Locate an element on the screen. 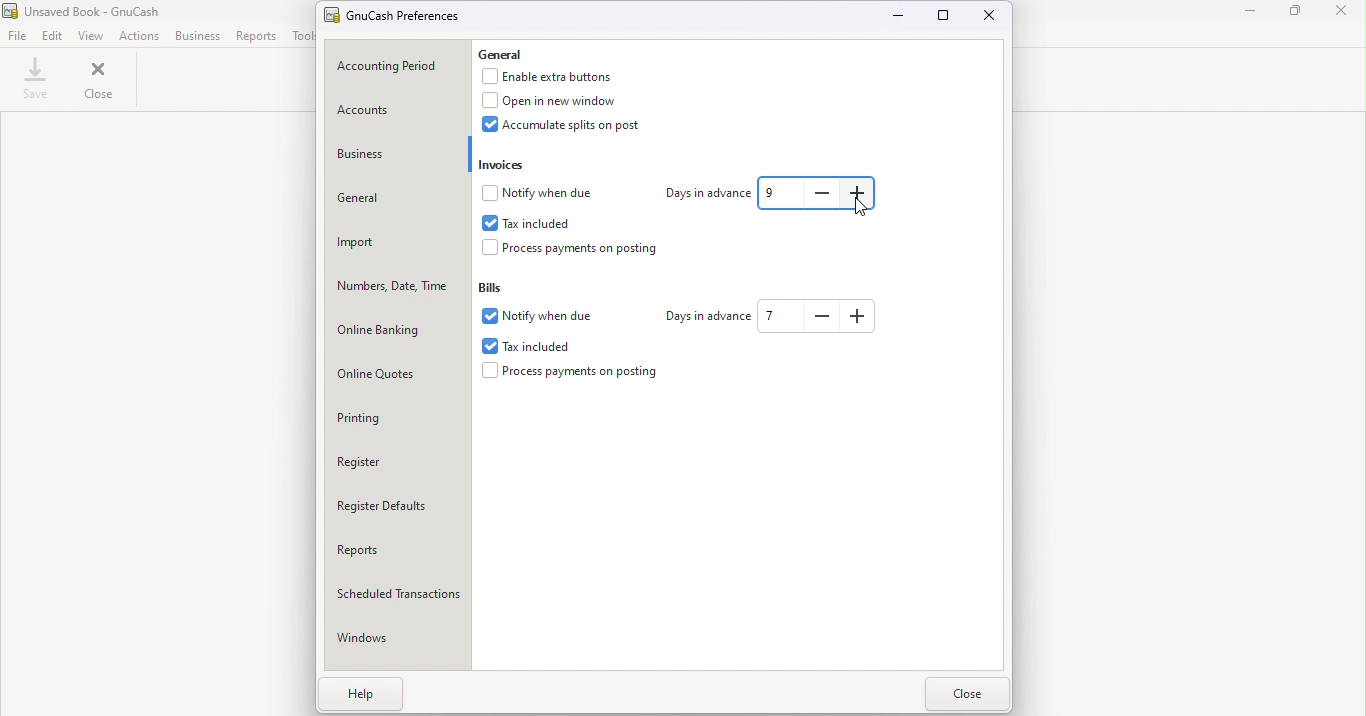  Report is located at coordinates (258, 36).